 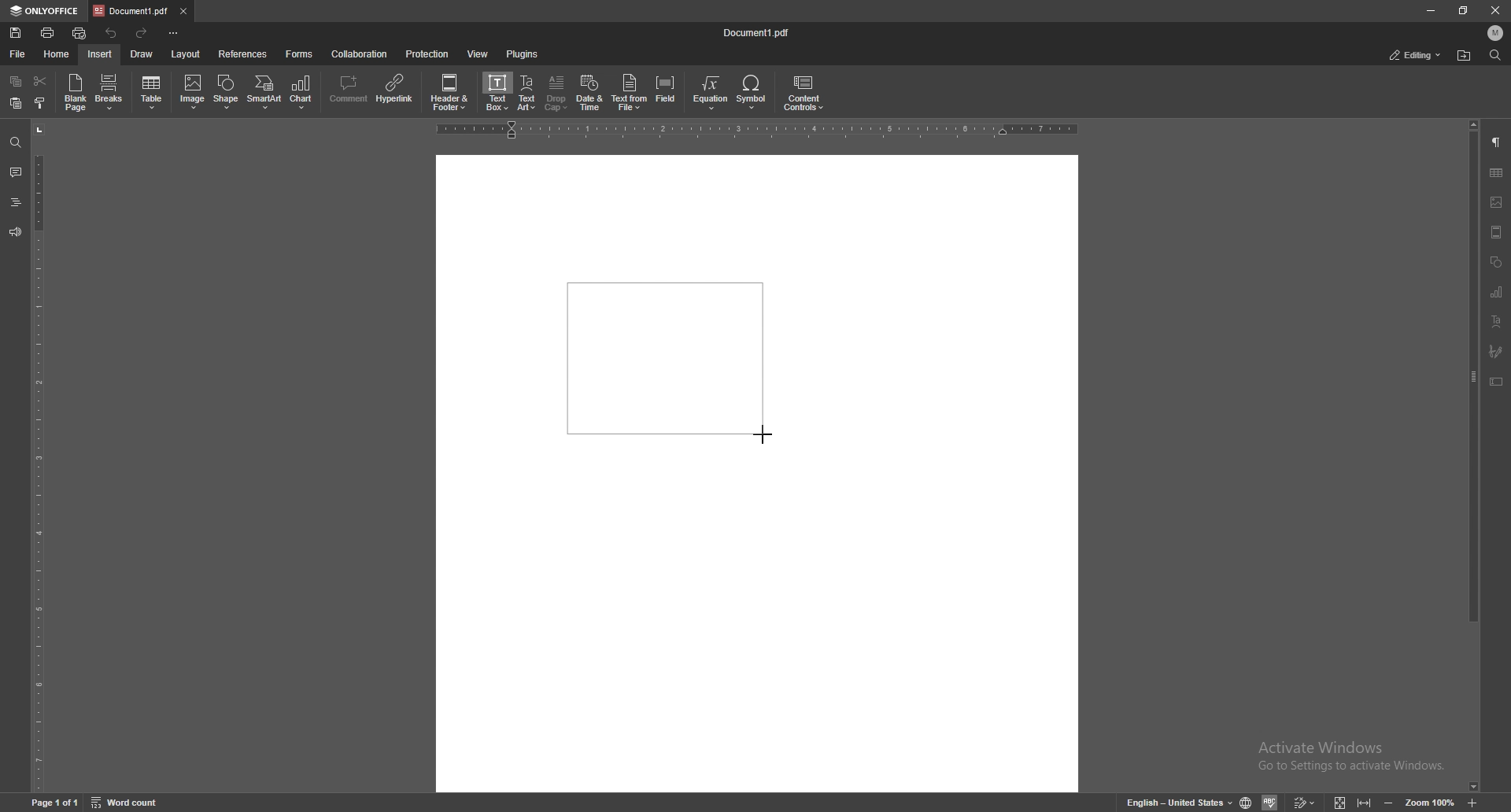 I want to click on view, so click(x=478, y=54).